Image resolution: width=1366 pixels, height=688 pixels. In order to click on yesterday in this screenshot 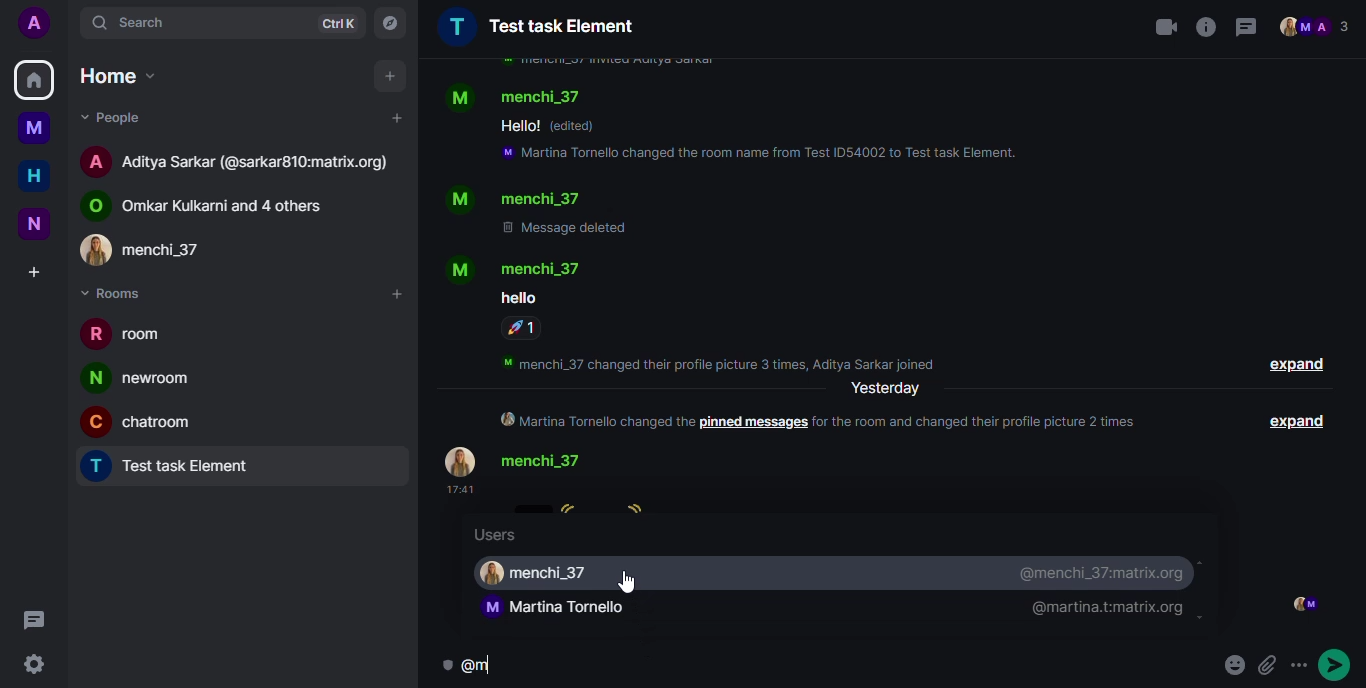, I will do `click(886, 389)`.